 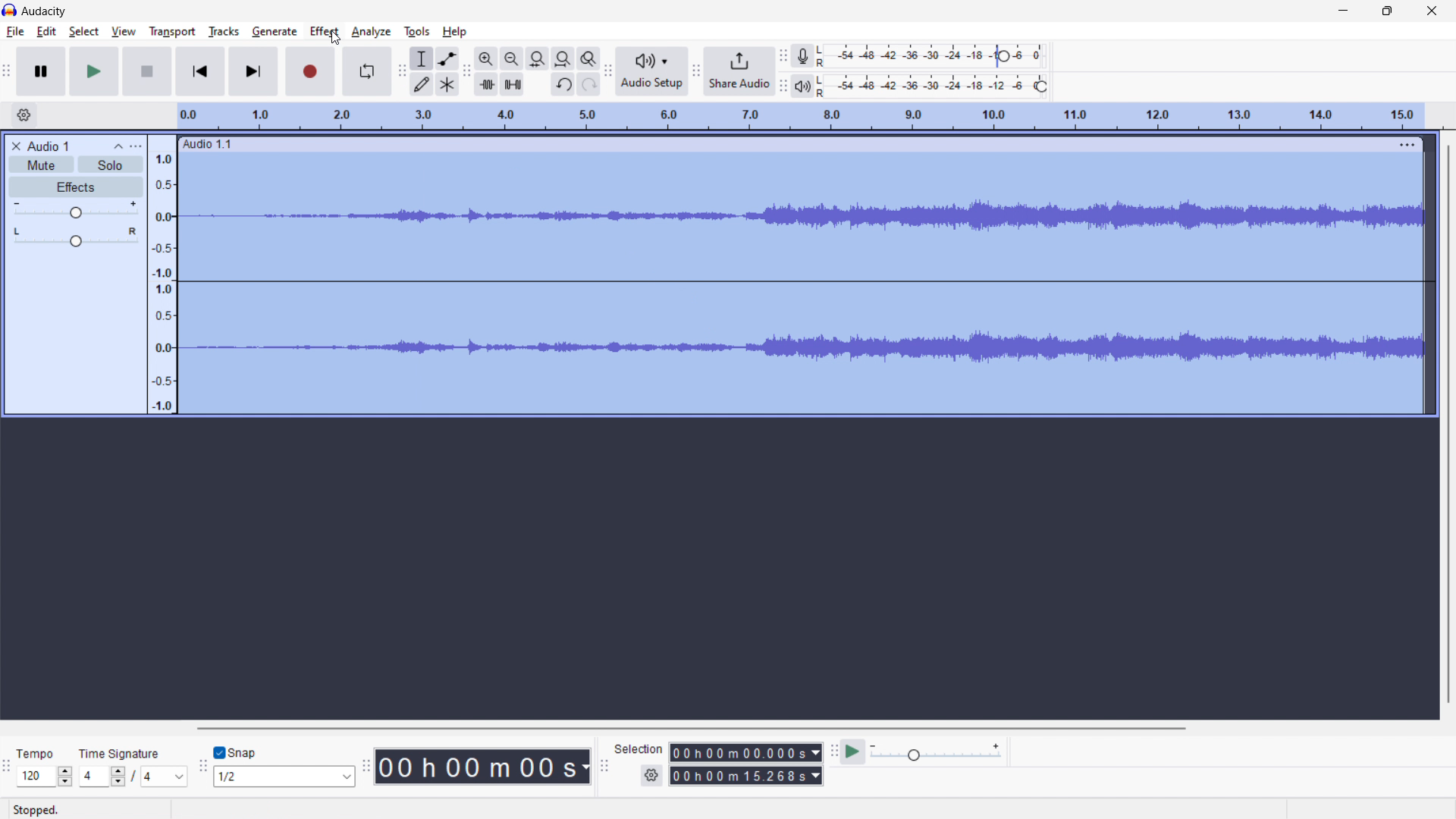 What do you see at coordinates (456, 32) in the screenshot?
I see `help` at bounding box center [456, 32].